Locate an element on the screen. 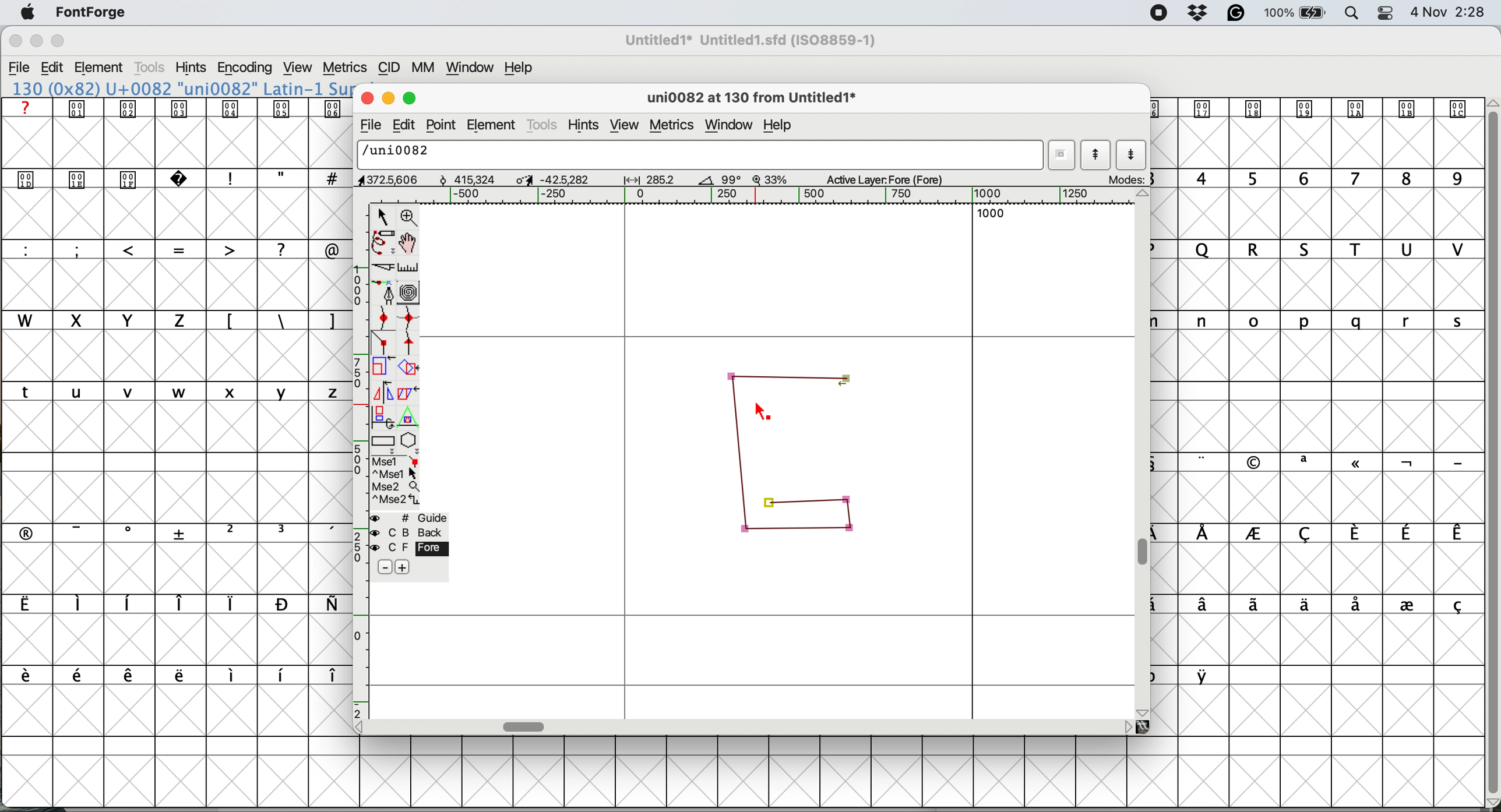  change whether spiro is active or not is located at coordinates (410, 292).